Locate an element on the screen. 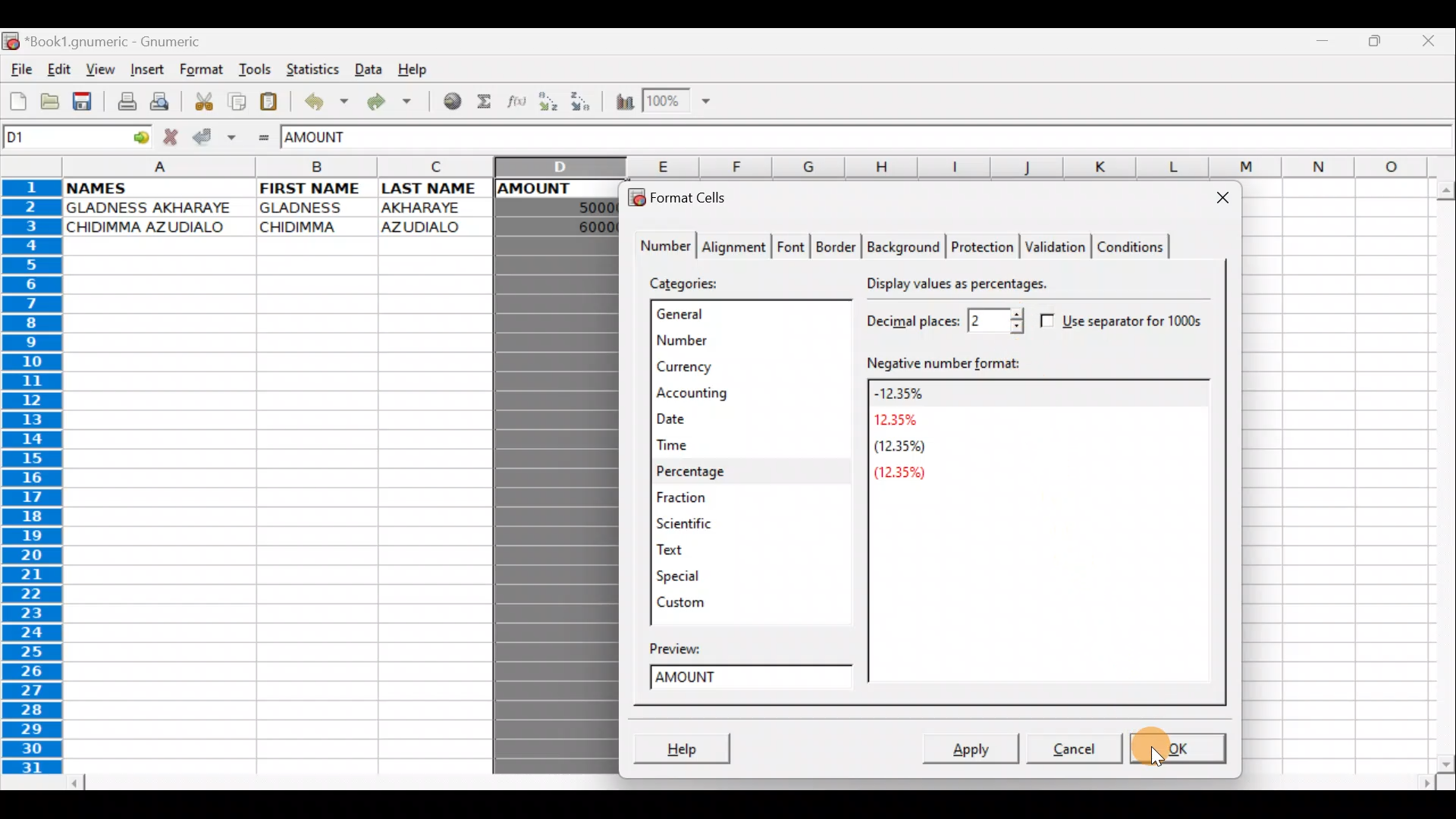 Image resolution: width=1456 pixels, height=819 pixels. Categories is located at coordinates (692, 282).